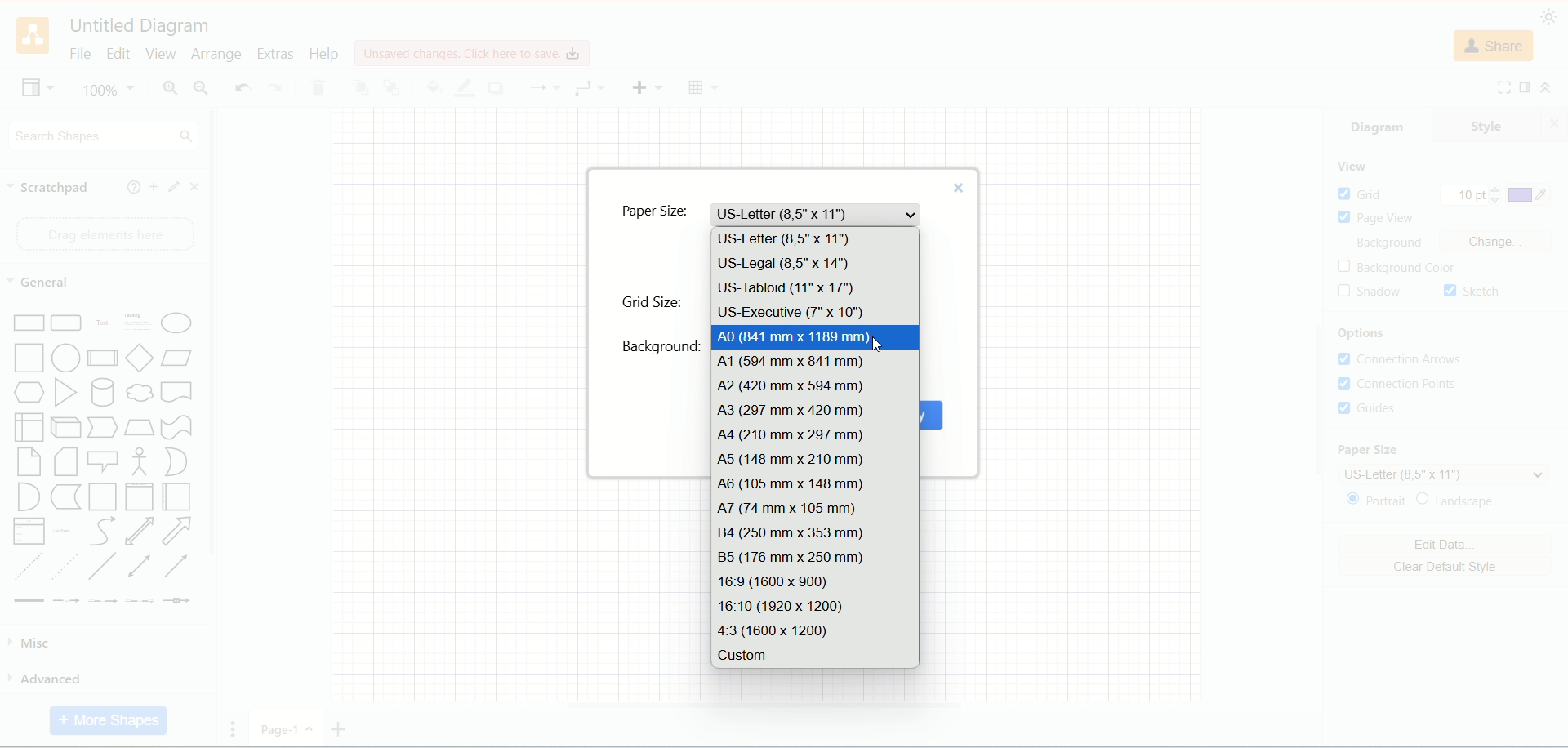  Describe the element at coordinates (544, 87) in the screenshot. I see `waypoint` at that location.